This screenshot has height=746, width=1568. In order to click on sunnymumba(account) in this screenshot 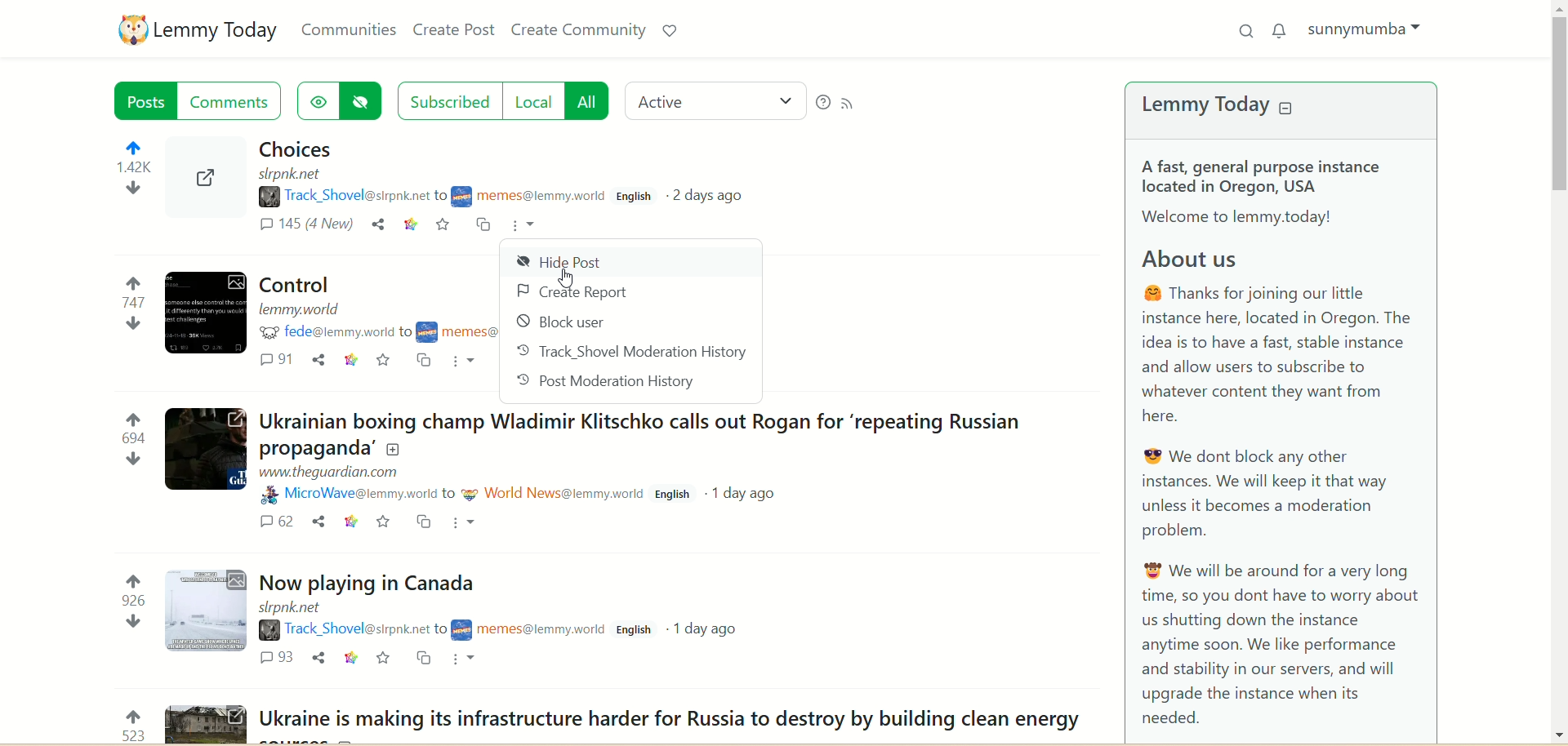, I will do `click(1370, 29)`.